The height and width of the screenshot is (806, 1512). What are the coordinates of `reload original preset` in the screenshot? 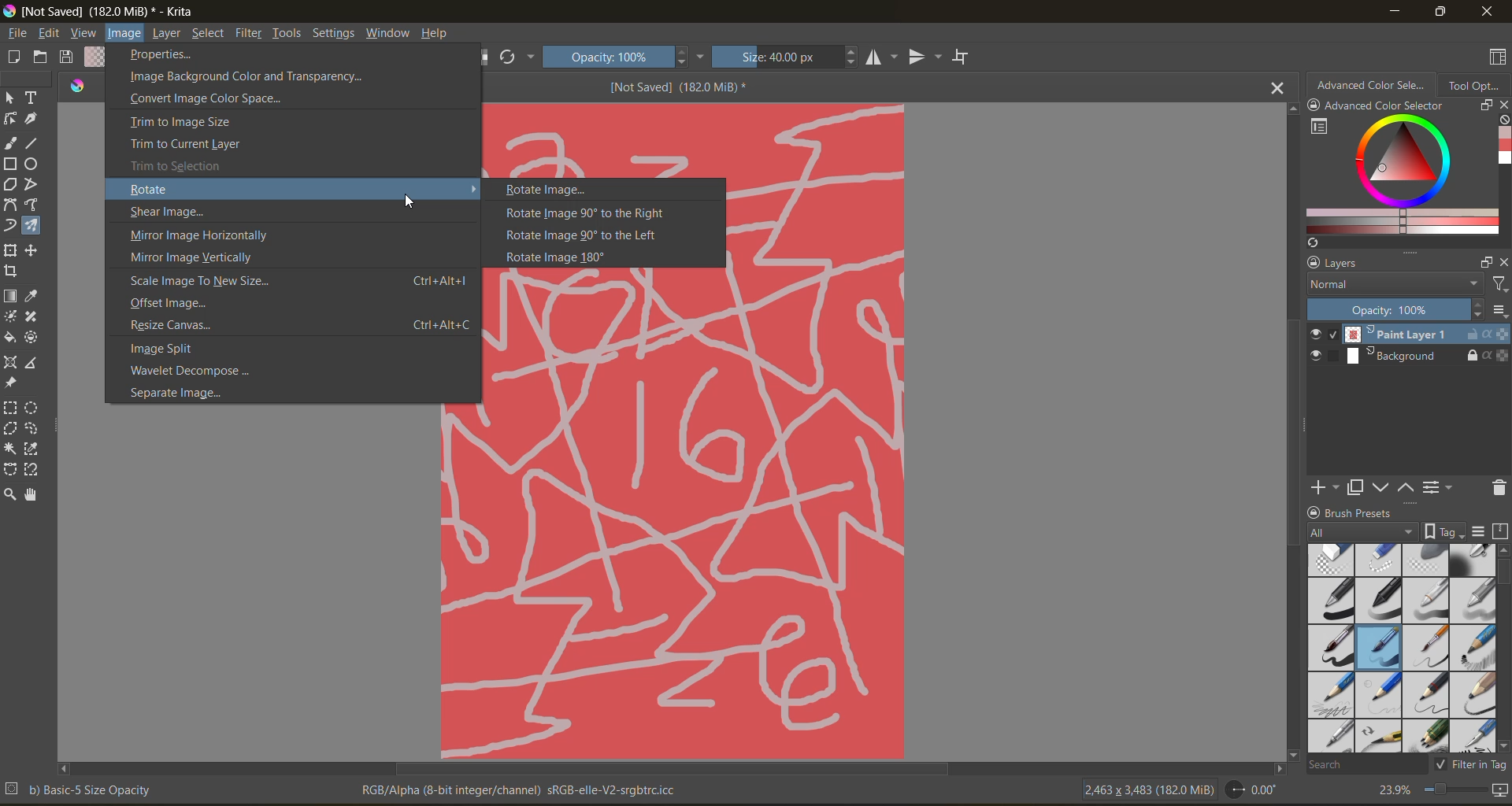 It's located at (511, 54).